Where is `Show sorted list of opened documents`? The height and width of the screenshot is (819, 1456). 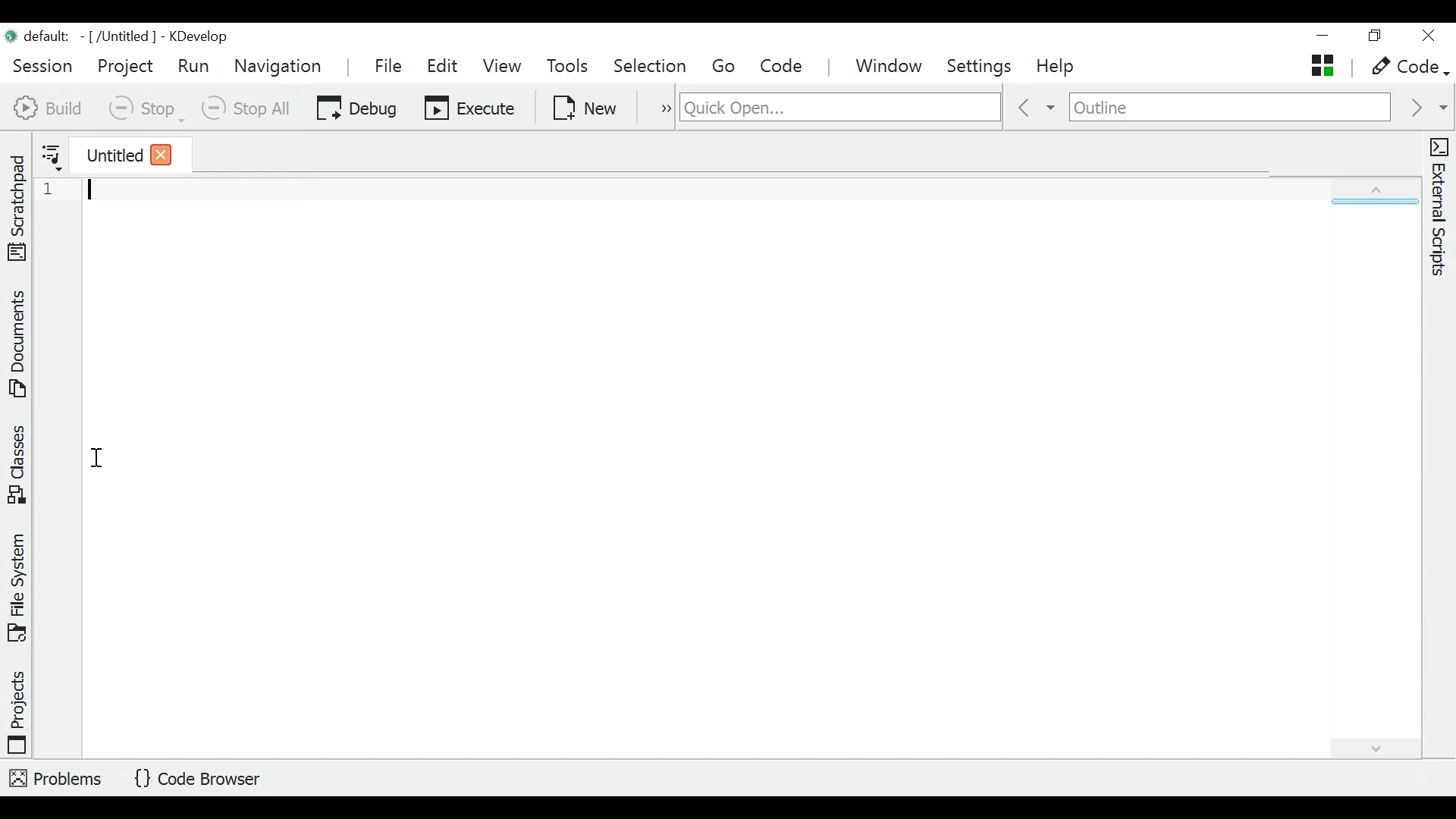
Show sorted list of opened documents is located at coordinates (52, 156).